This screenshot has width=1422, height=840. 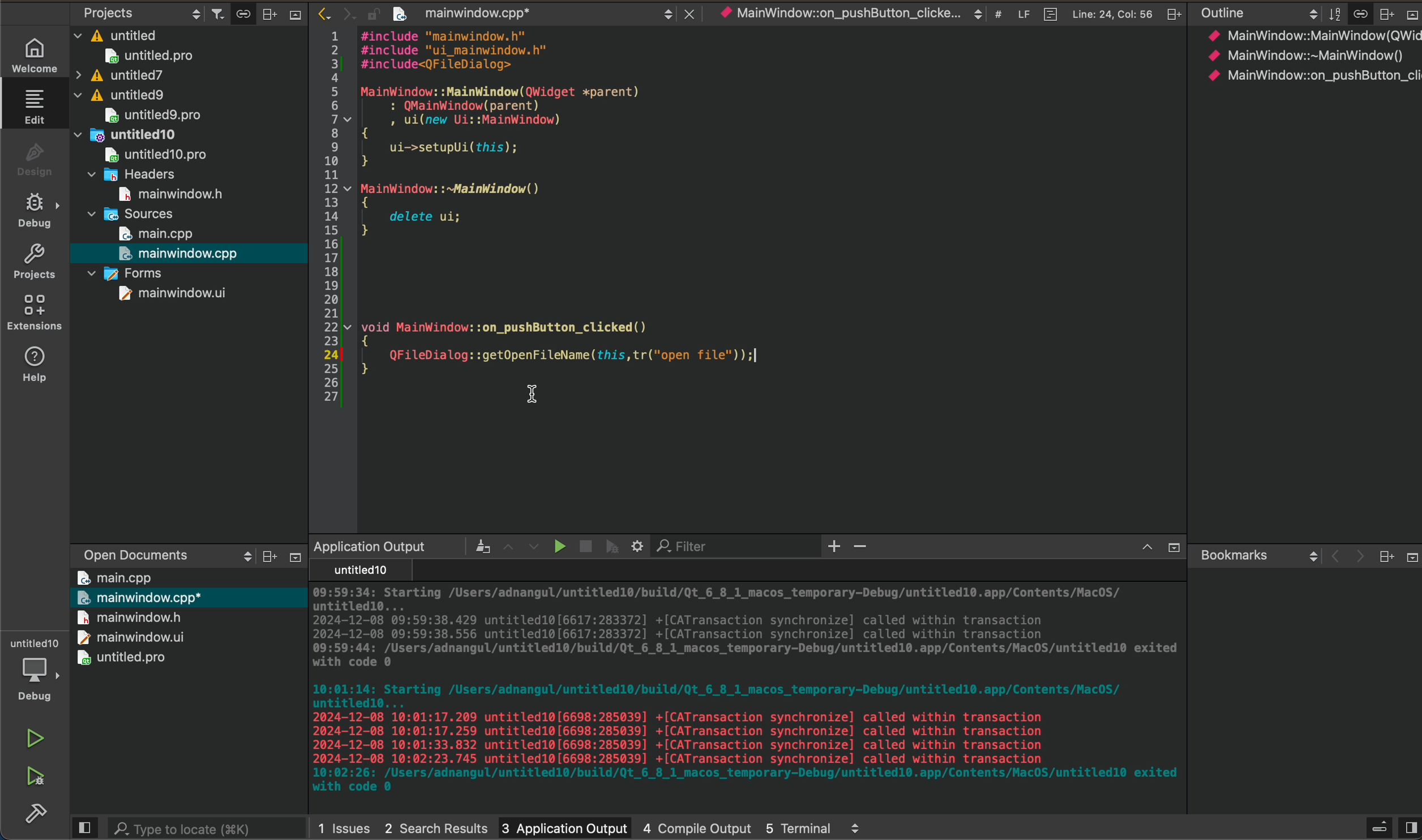 I want to click on projects, so click(x=34, y=261).